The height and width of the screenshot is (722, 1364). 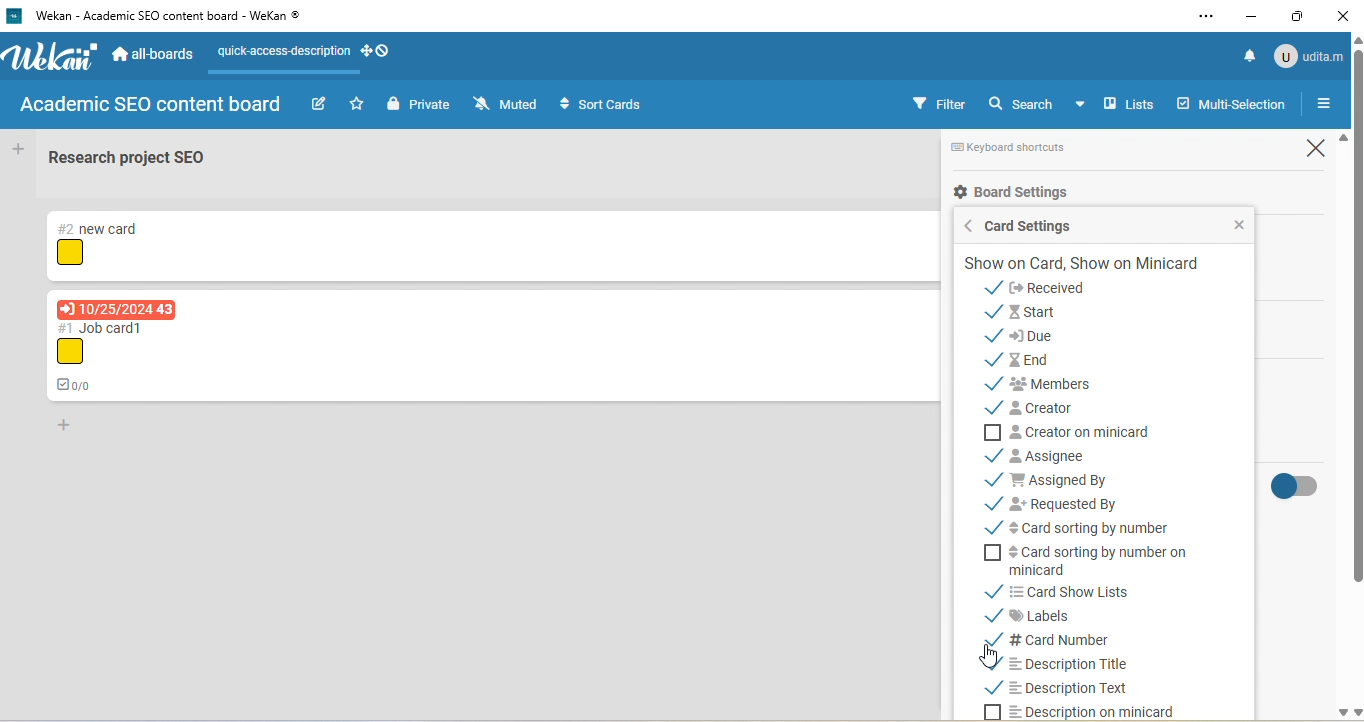 I want to click on card settings, so click(x=1042, y=226).